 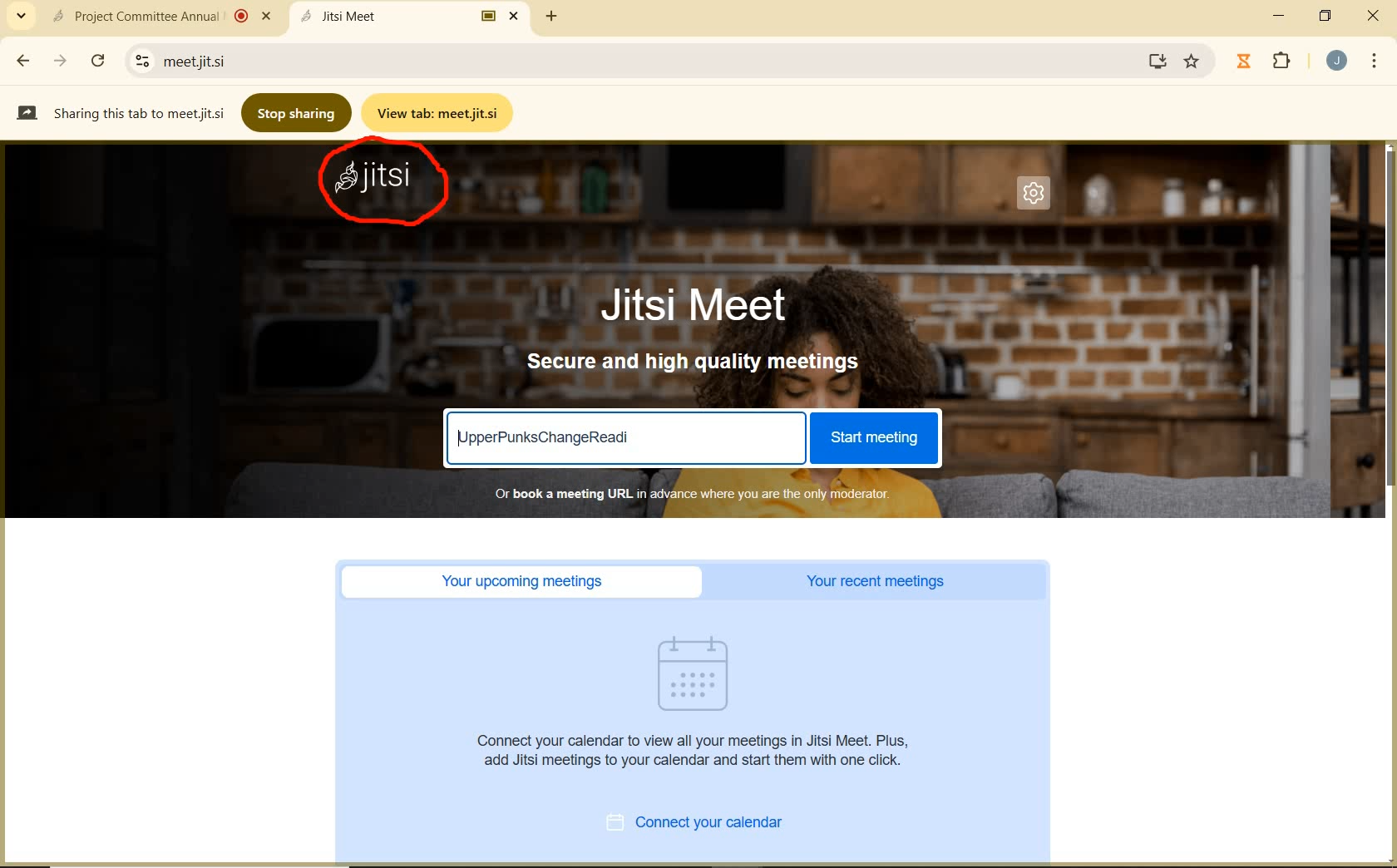 I want to click on MINIMIZE, so click(x=1281, y=16).